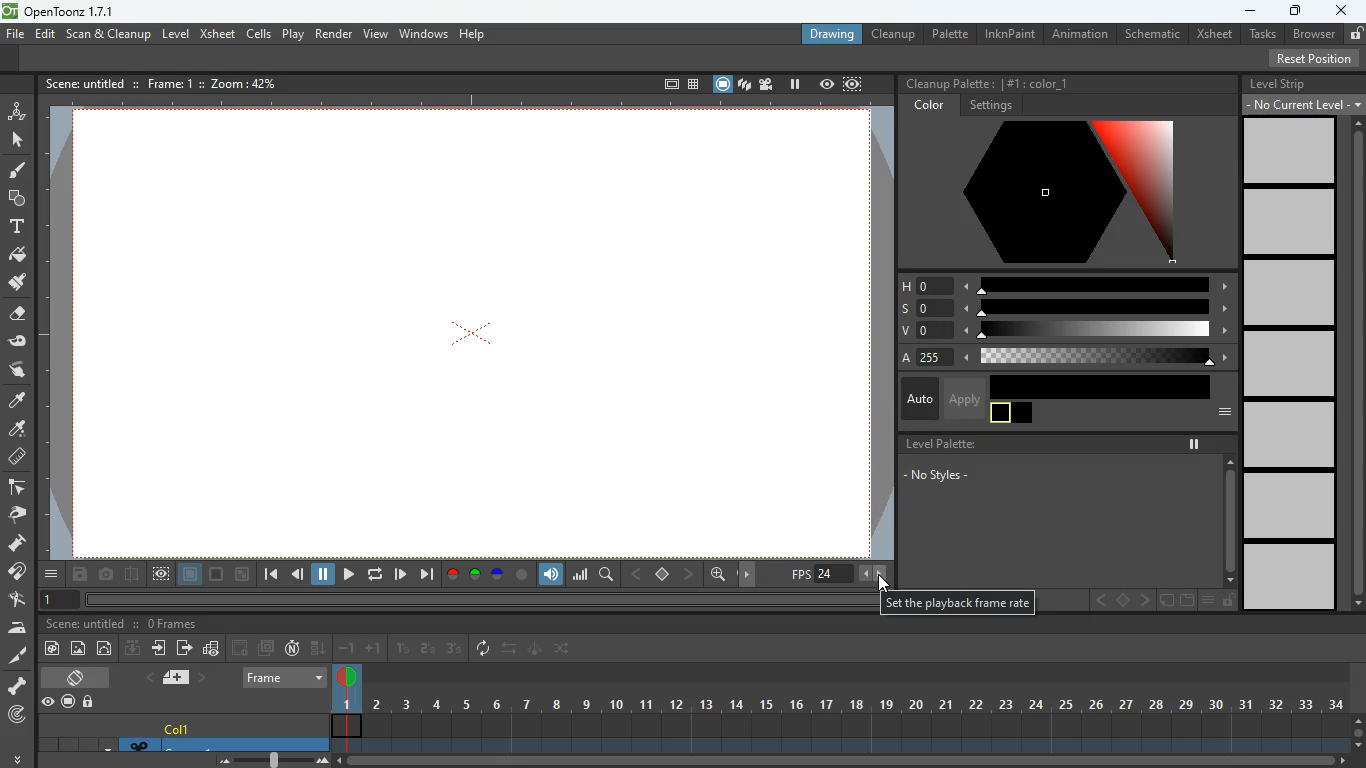  I want to click on more, so click(1217, 413).